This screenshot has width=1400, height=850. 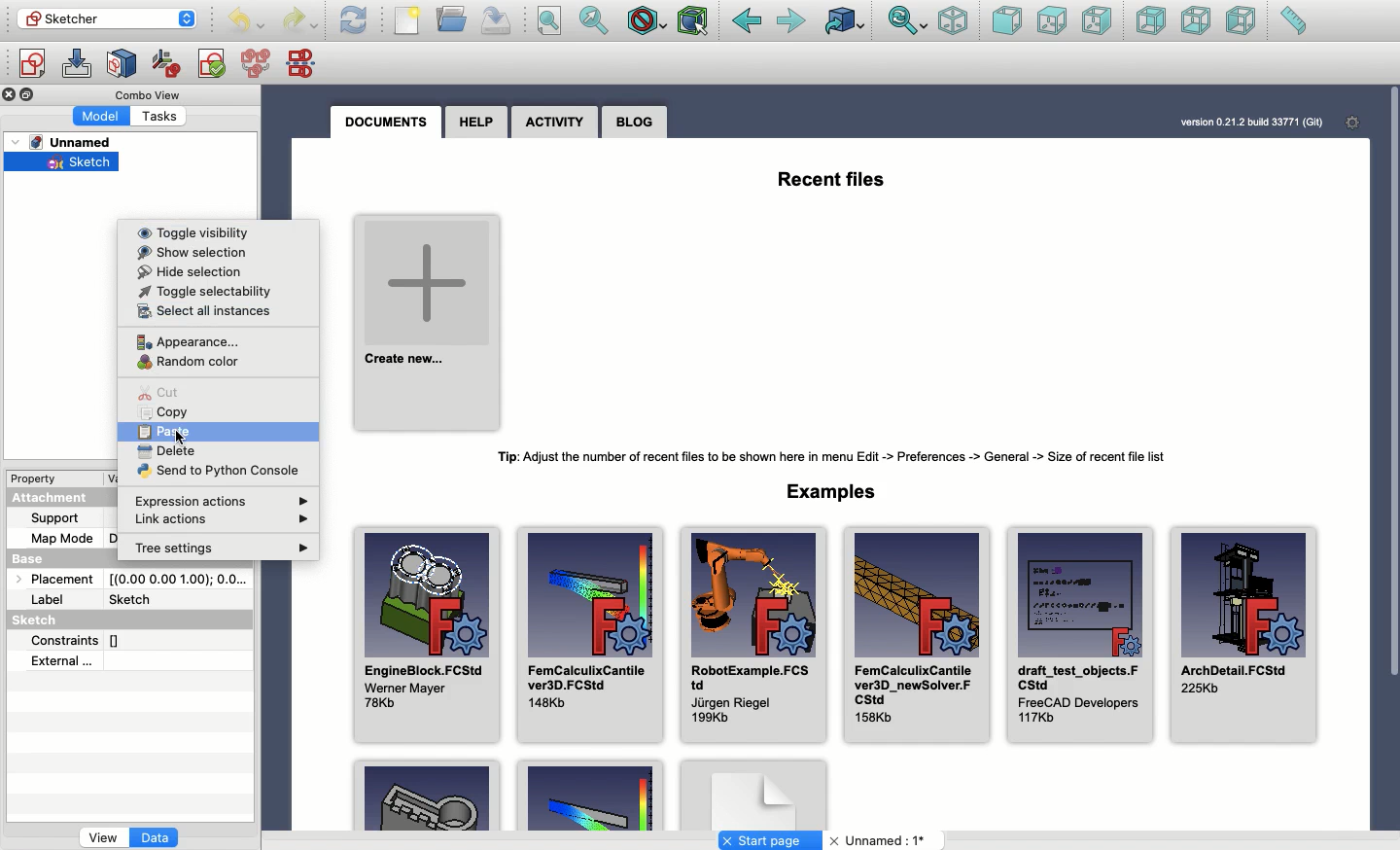 What do you see at coordinates (94, 18) in the screenshot?
I see `Sketcher` at bounding box center [94, 18].